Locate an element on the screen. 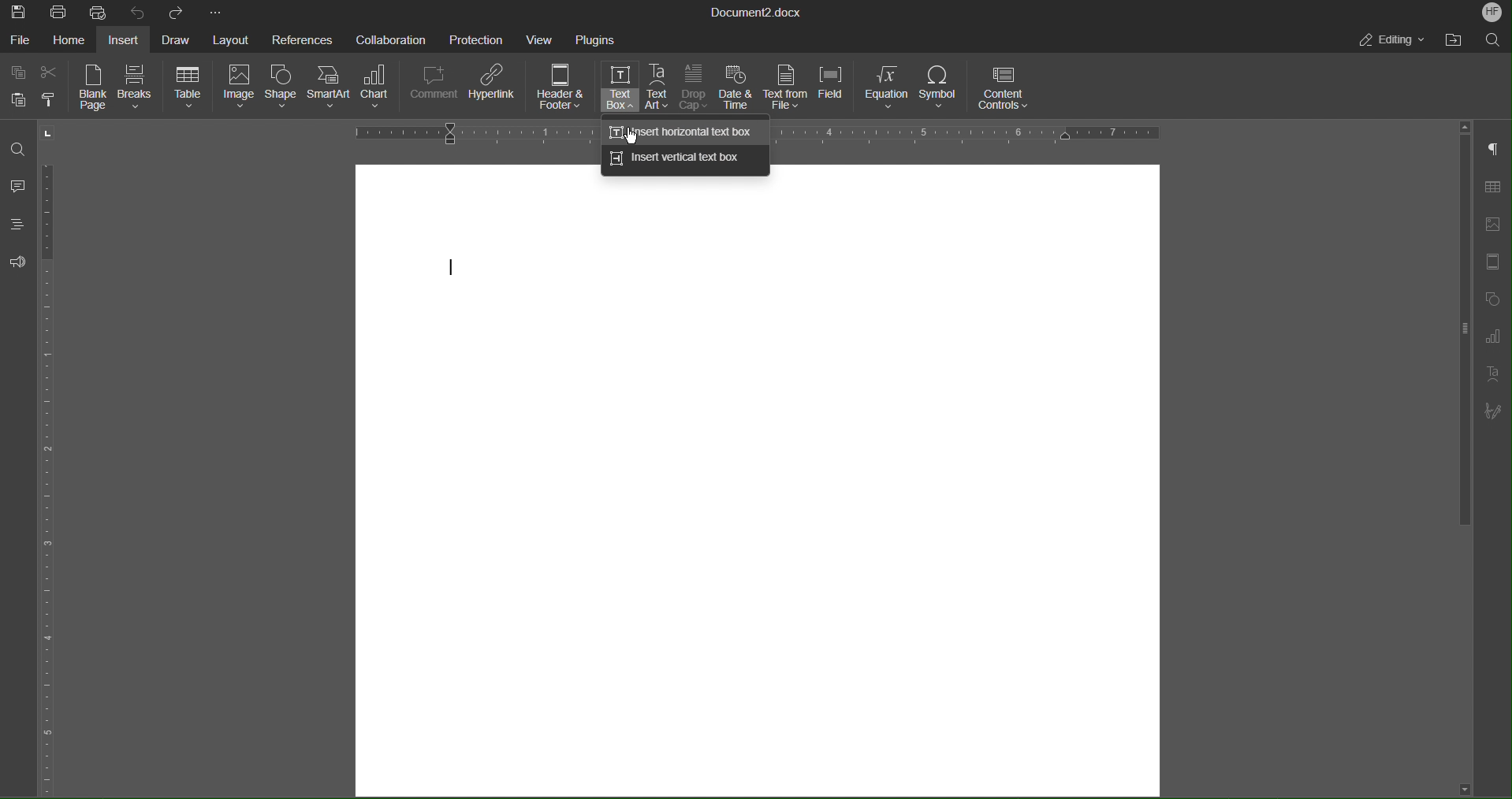  Undo is located at coordinates (136, 12).